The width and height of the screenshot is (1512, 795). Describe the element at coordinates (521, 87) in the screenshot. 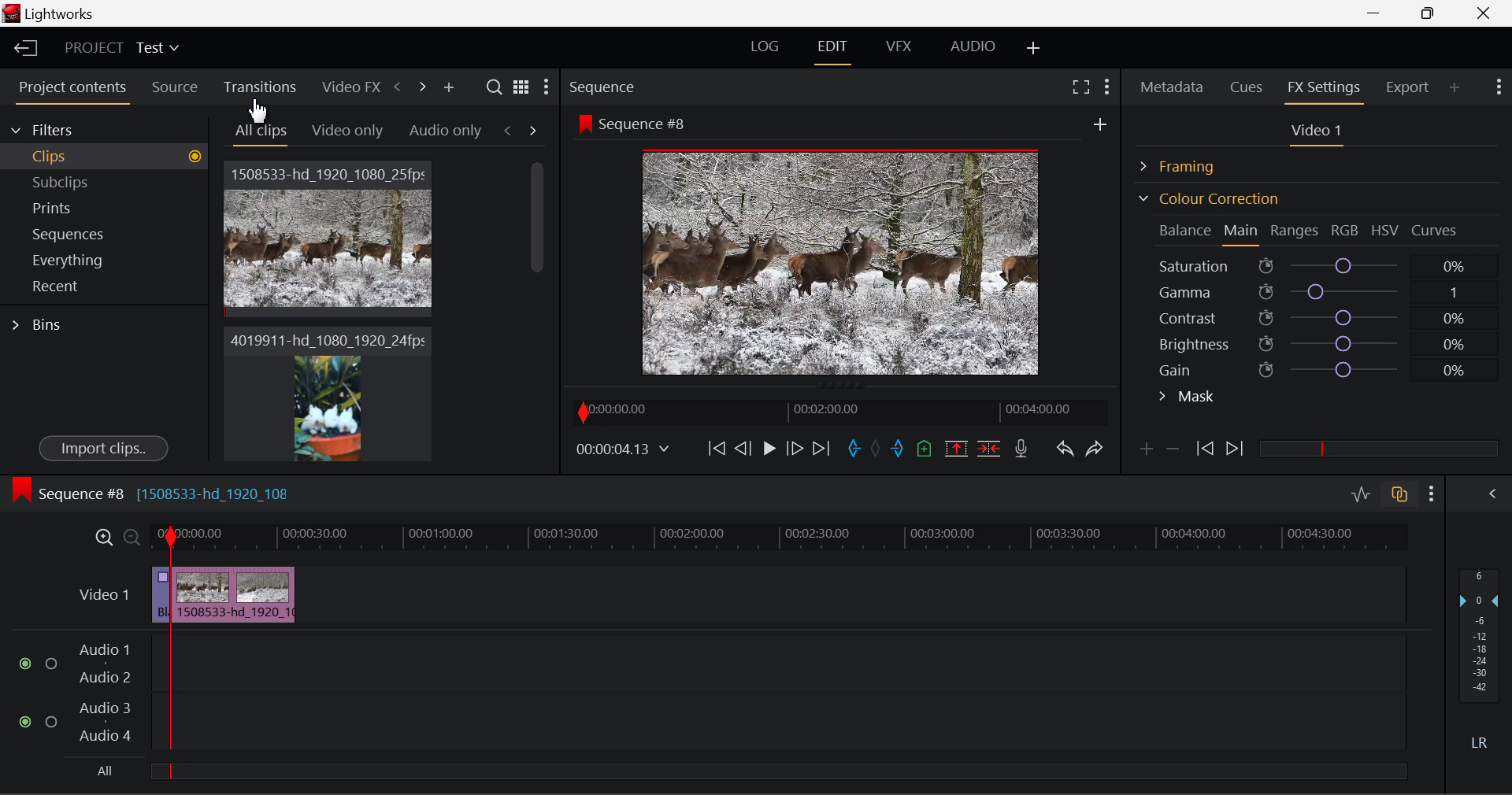

I see `Toggle list and title view` at that location.